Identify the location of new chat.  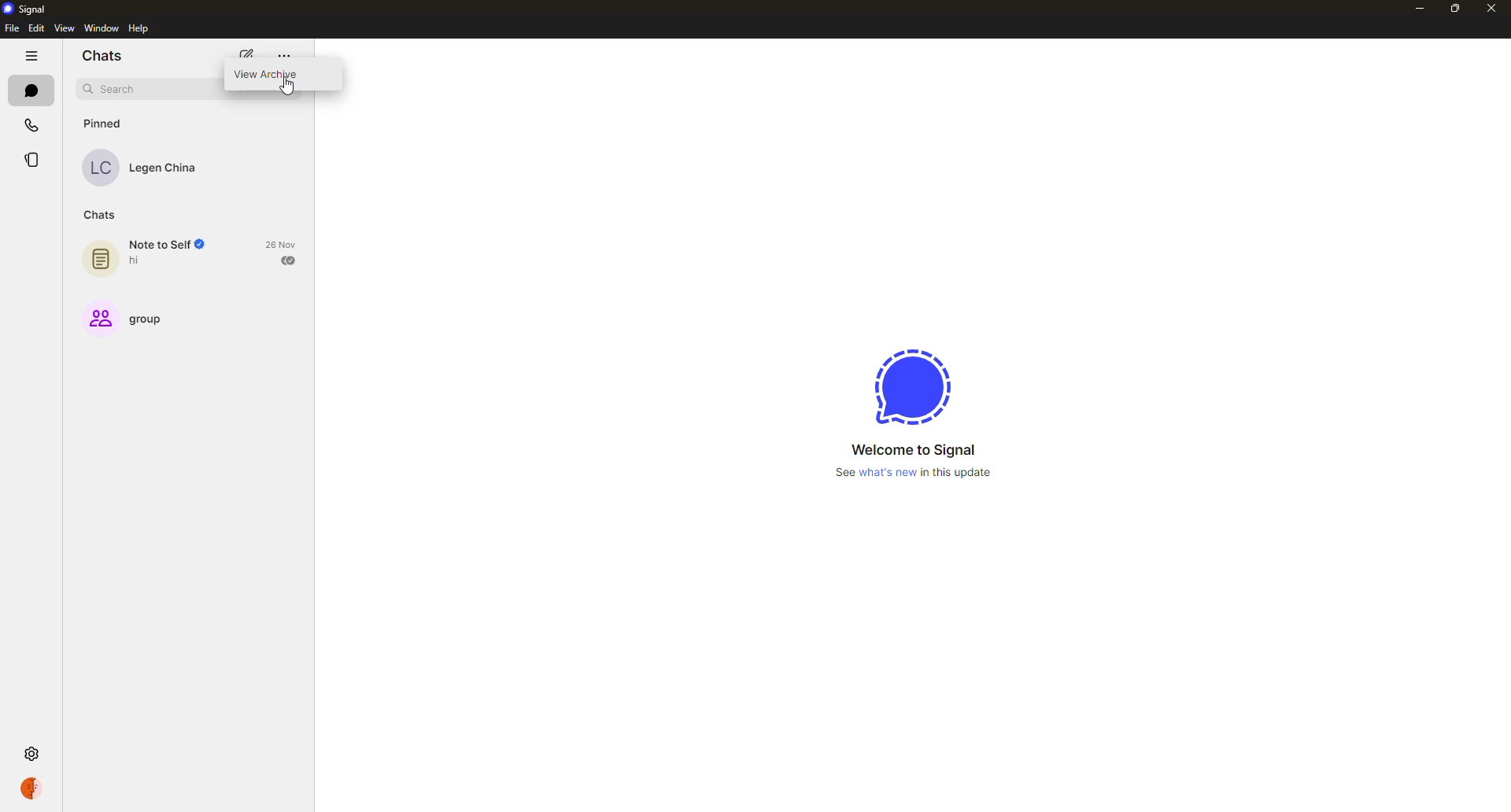
(248, 56).